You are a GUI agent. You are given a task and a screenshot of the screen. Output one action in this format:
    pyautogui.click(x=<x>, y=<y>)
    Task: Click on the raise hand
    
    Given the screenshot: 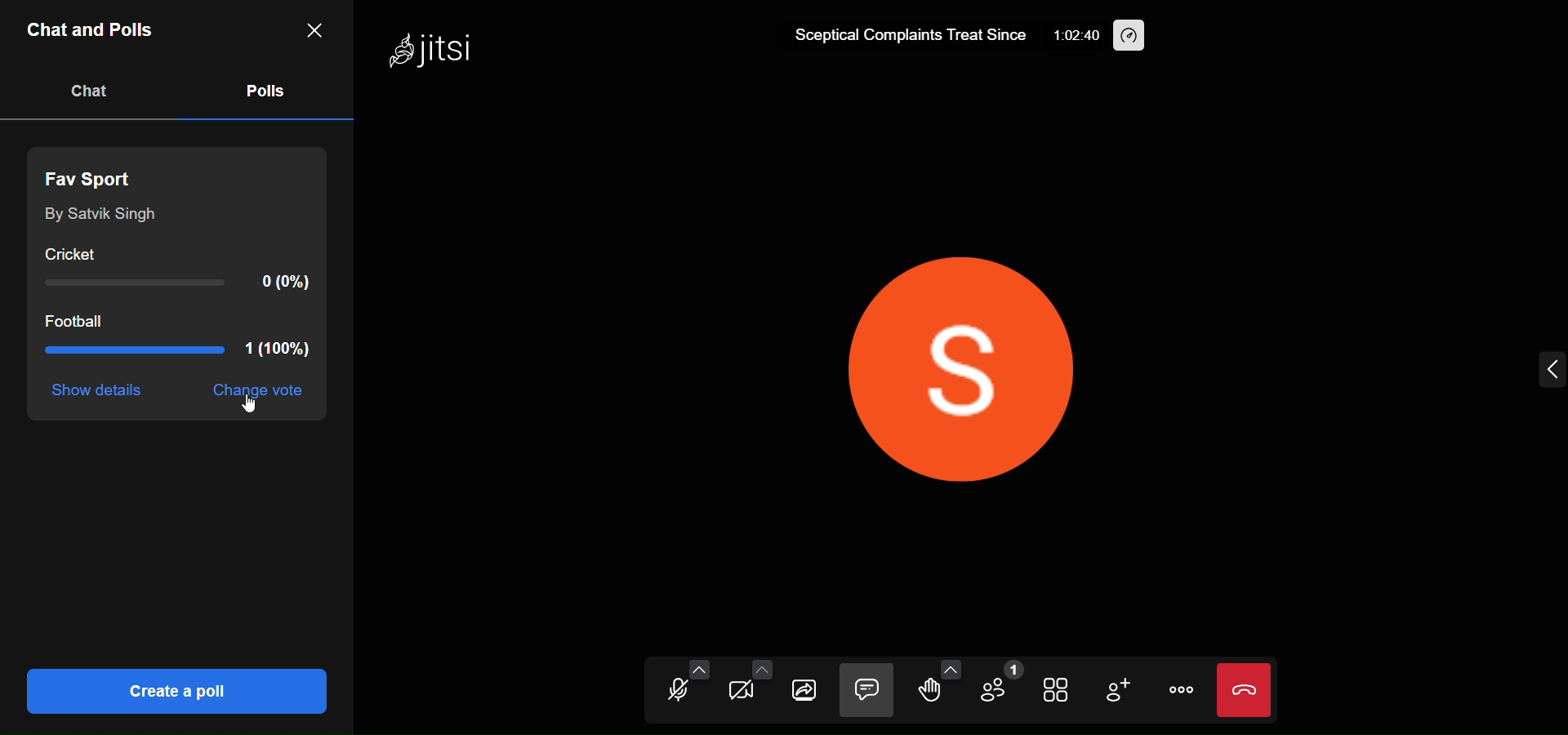 What is the action you would take?
    pyautogui.click(x=926, y=693)
    